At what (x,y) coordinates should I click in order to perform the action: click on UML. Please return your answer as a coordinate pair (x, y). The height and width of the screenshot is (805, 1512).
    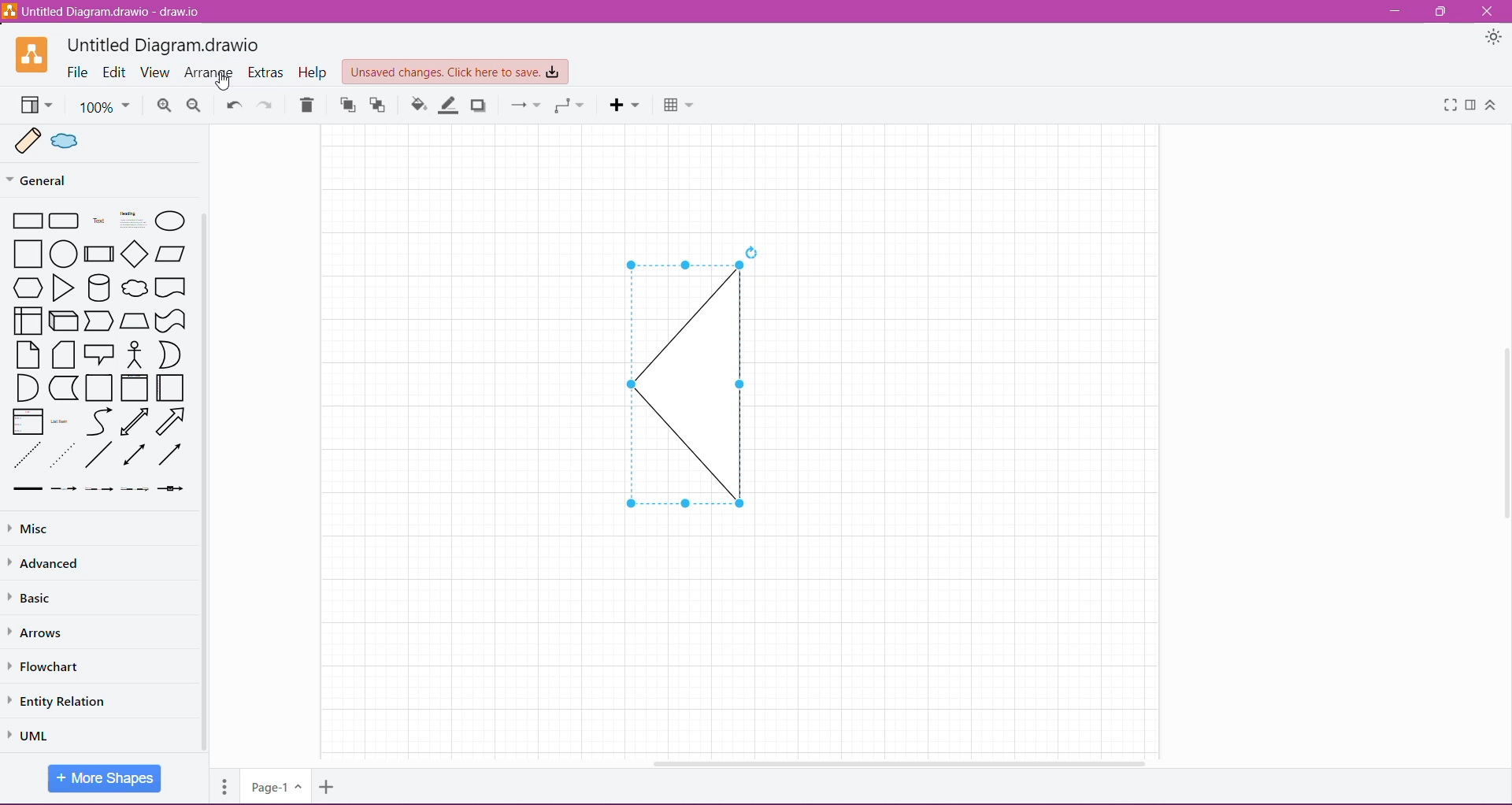
    Looking at the image, I should click on (31, 733).